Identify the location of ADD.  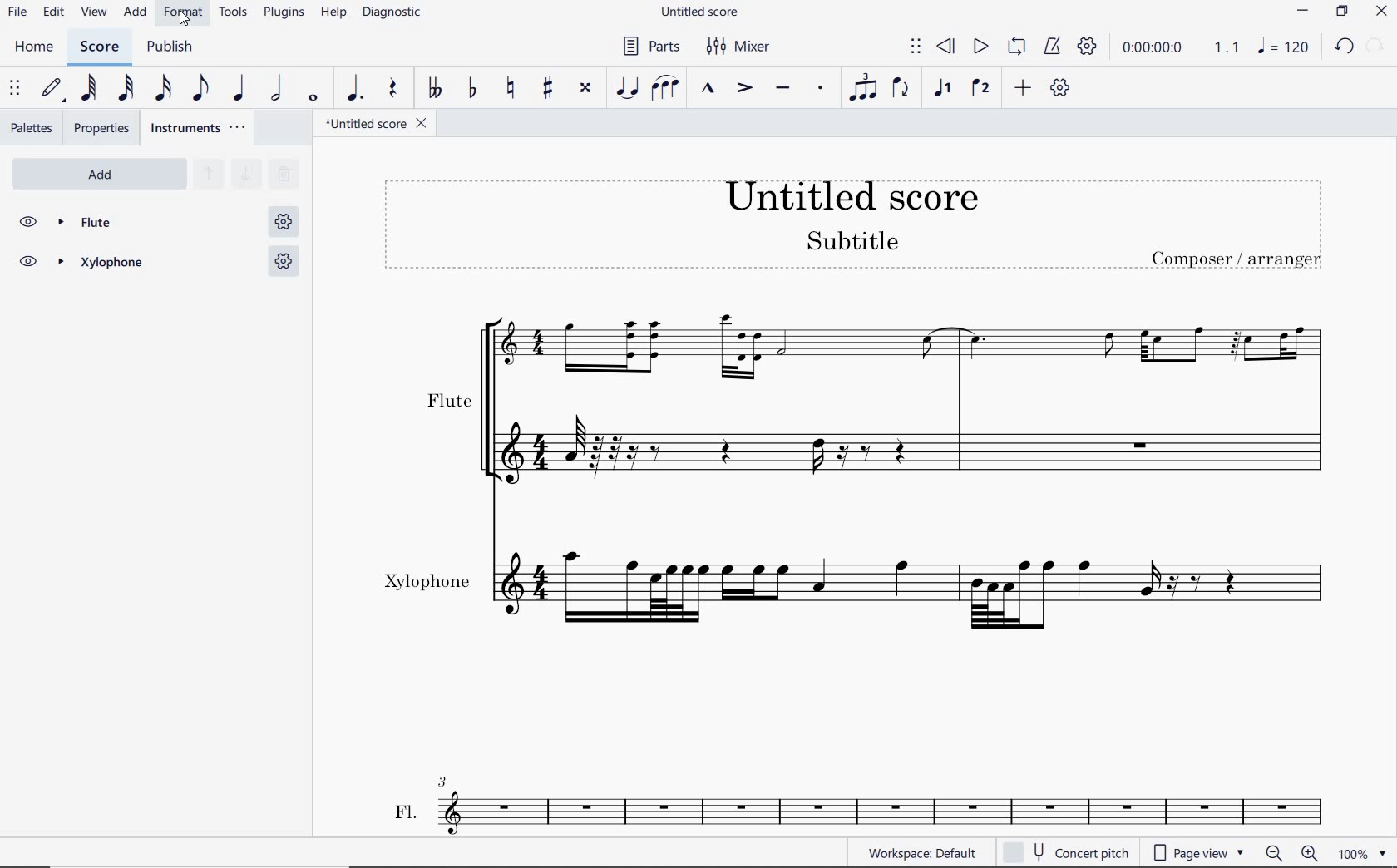
(1020, 89).